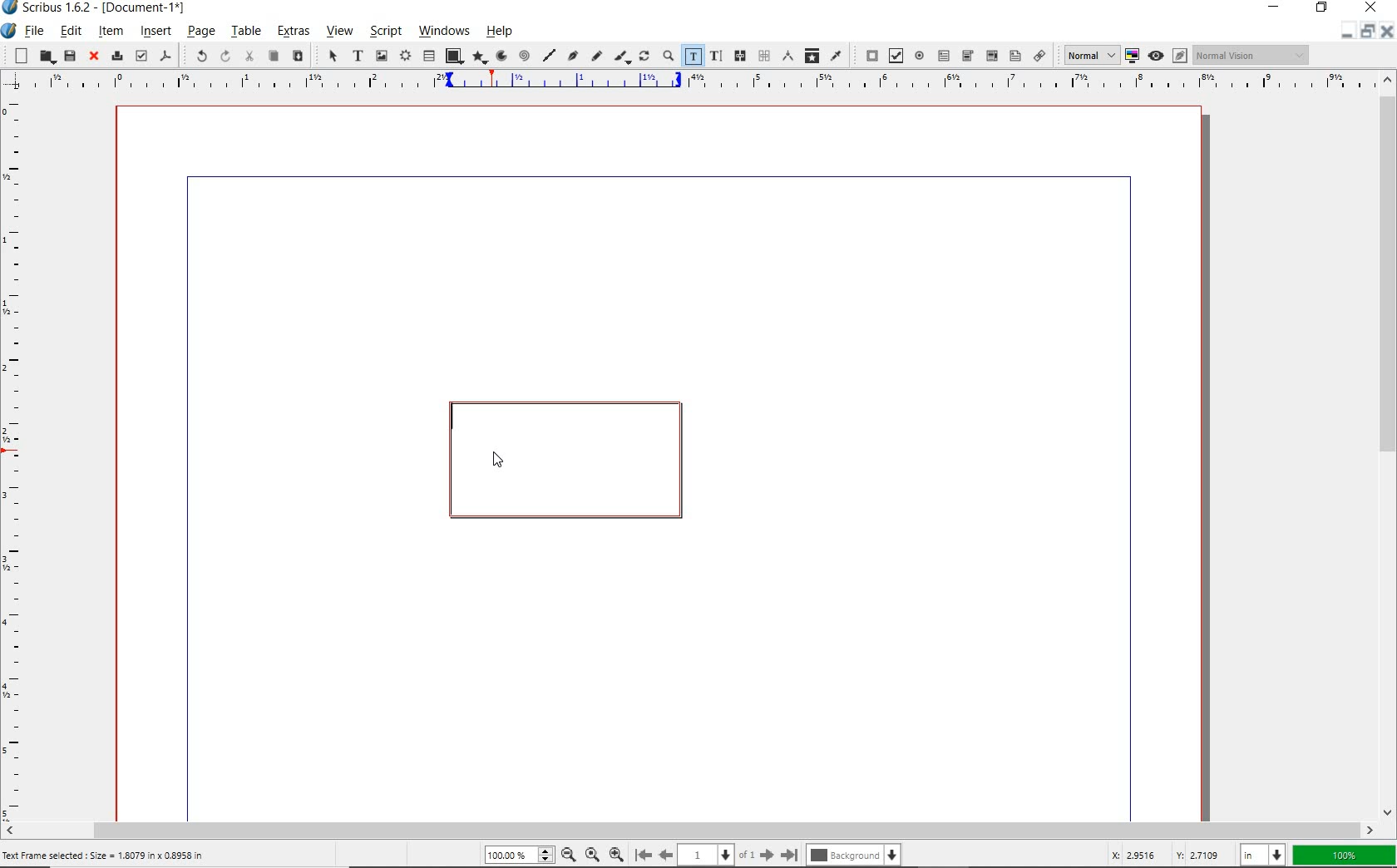  I want to click on editor, so click(451, 417).